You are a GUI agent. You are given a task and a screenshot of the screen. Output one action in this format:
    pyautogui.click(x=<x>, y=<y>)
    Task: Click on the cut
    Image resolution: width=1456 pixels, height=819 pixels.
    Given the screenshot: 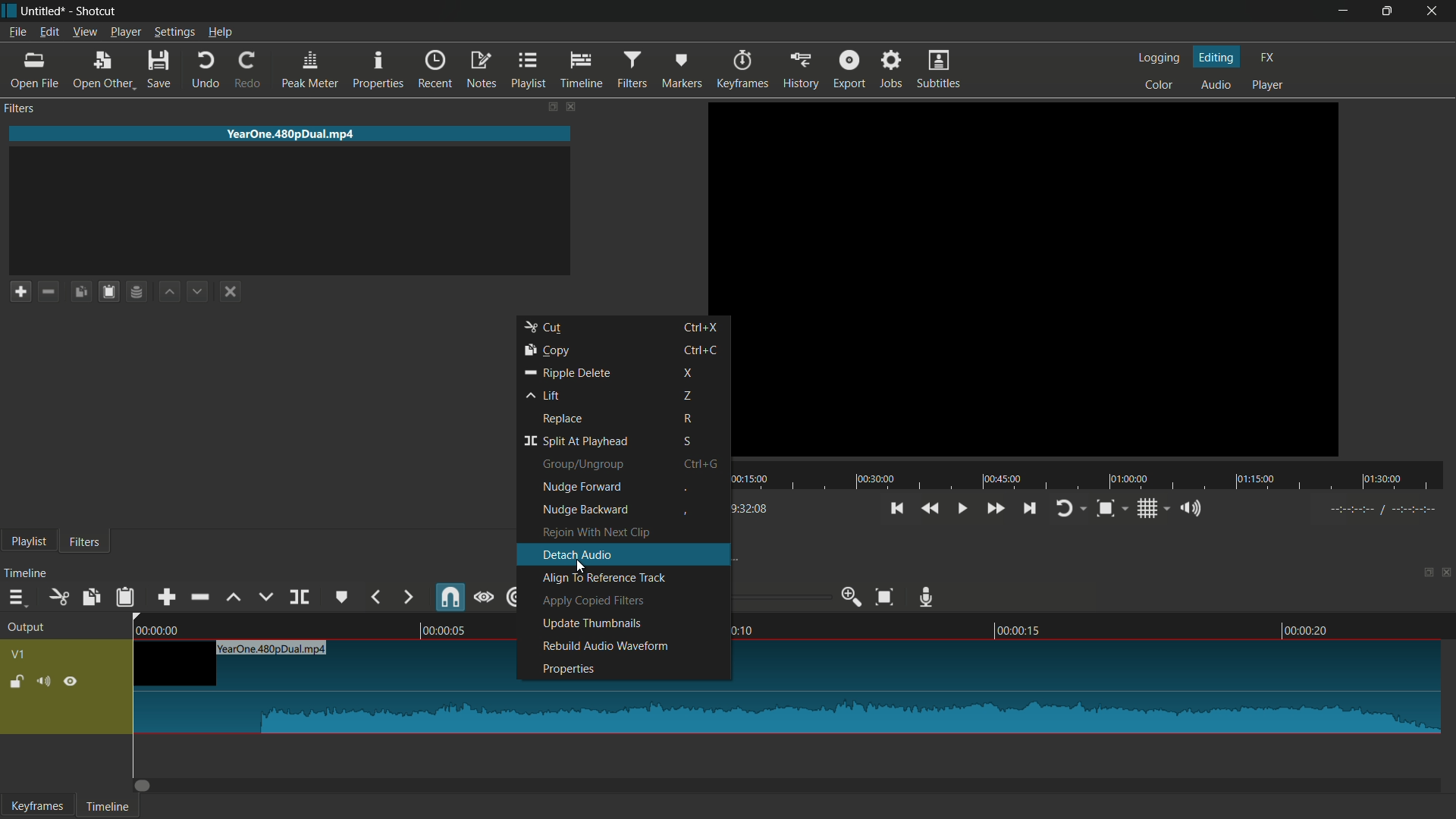 What is the action you would take?
    pyautogui.click(x=58, y=598)
    